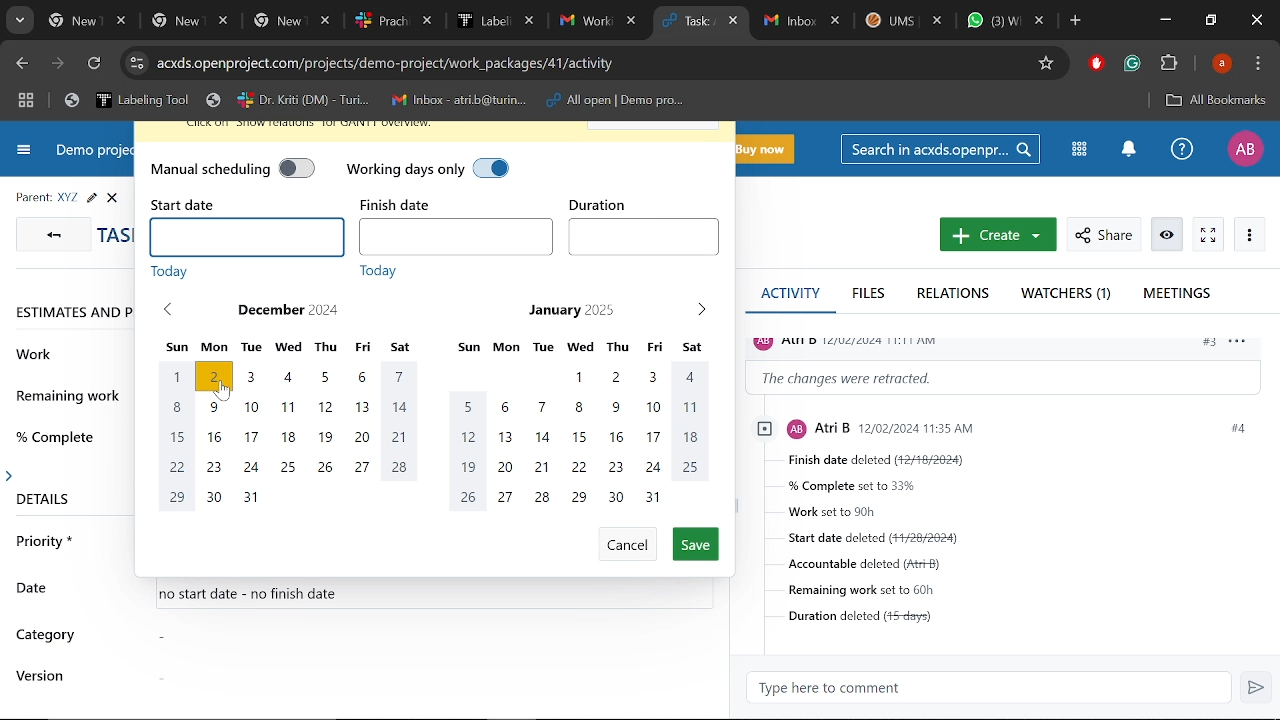  Describe the element at coordinates (137, 64) in the screenshot. I see `Cite info` at that location.